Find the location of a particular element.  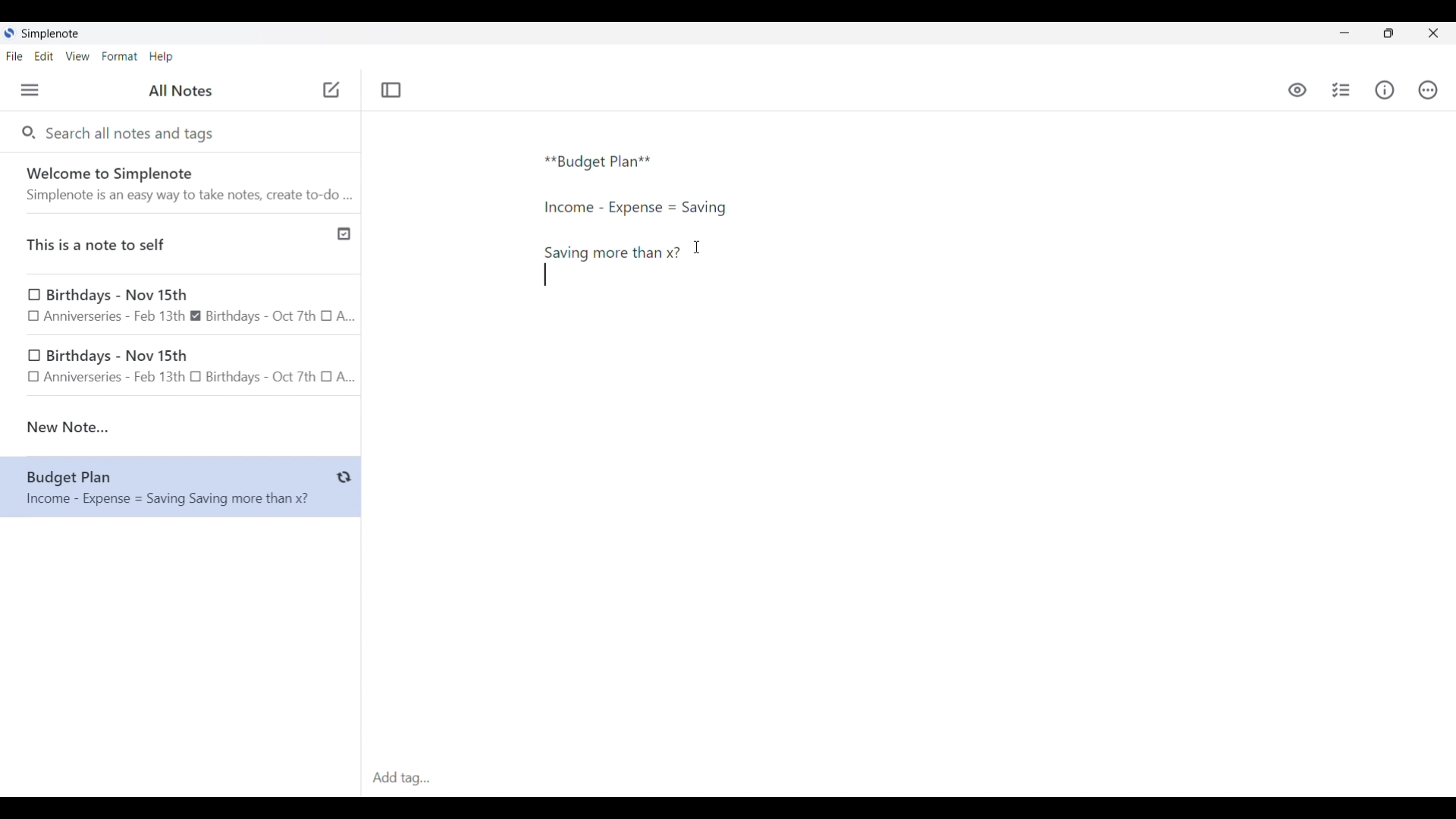

Earlier notes is located at coordinates (181, 306).